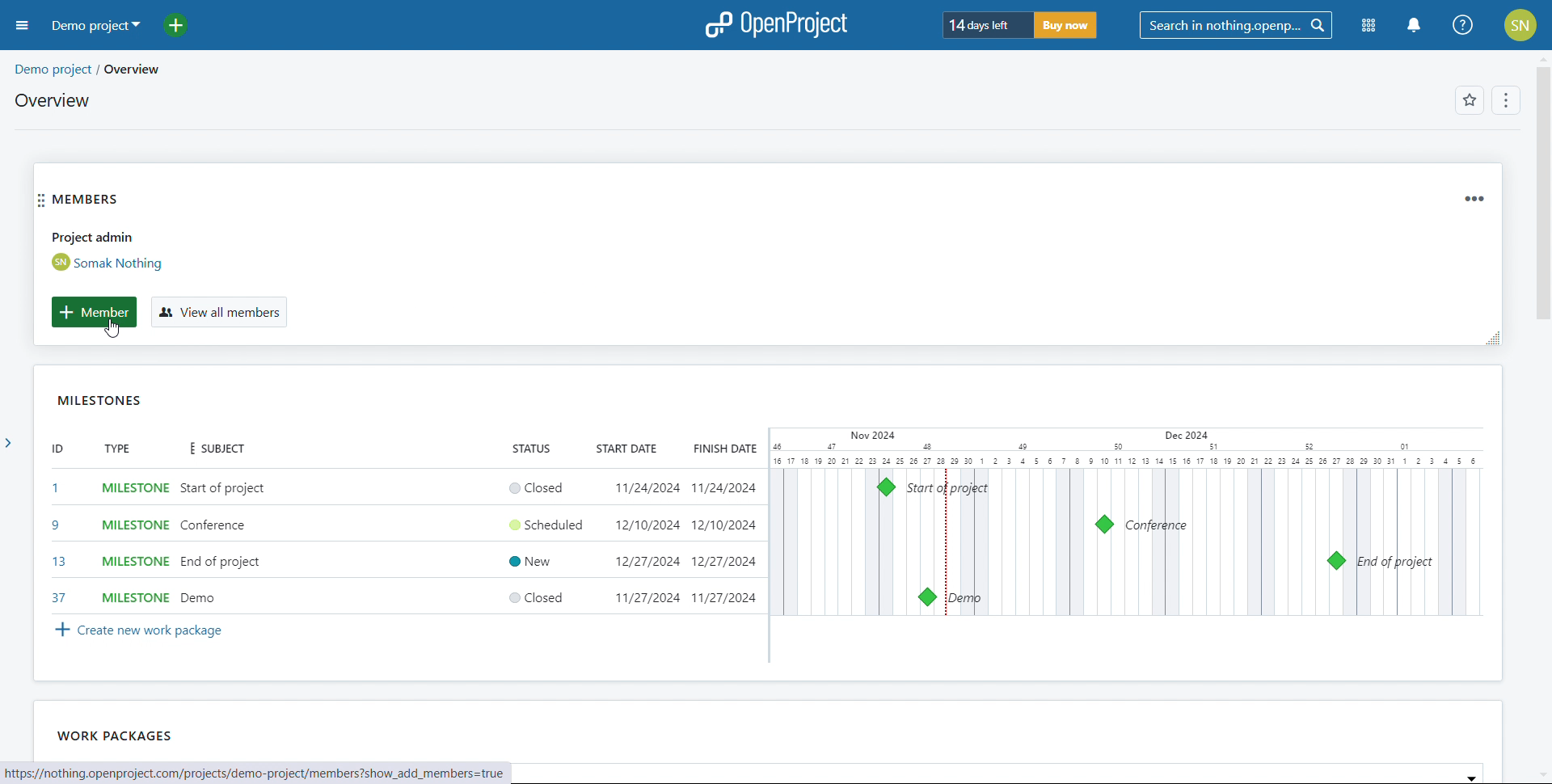 The height and width of the screenshot is (784, 1552). I want to click on end of project, so click(226, 563).